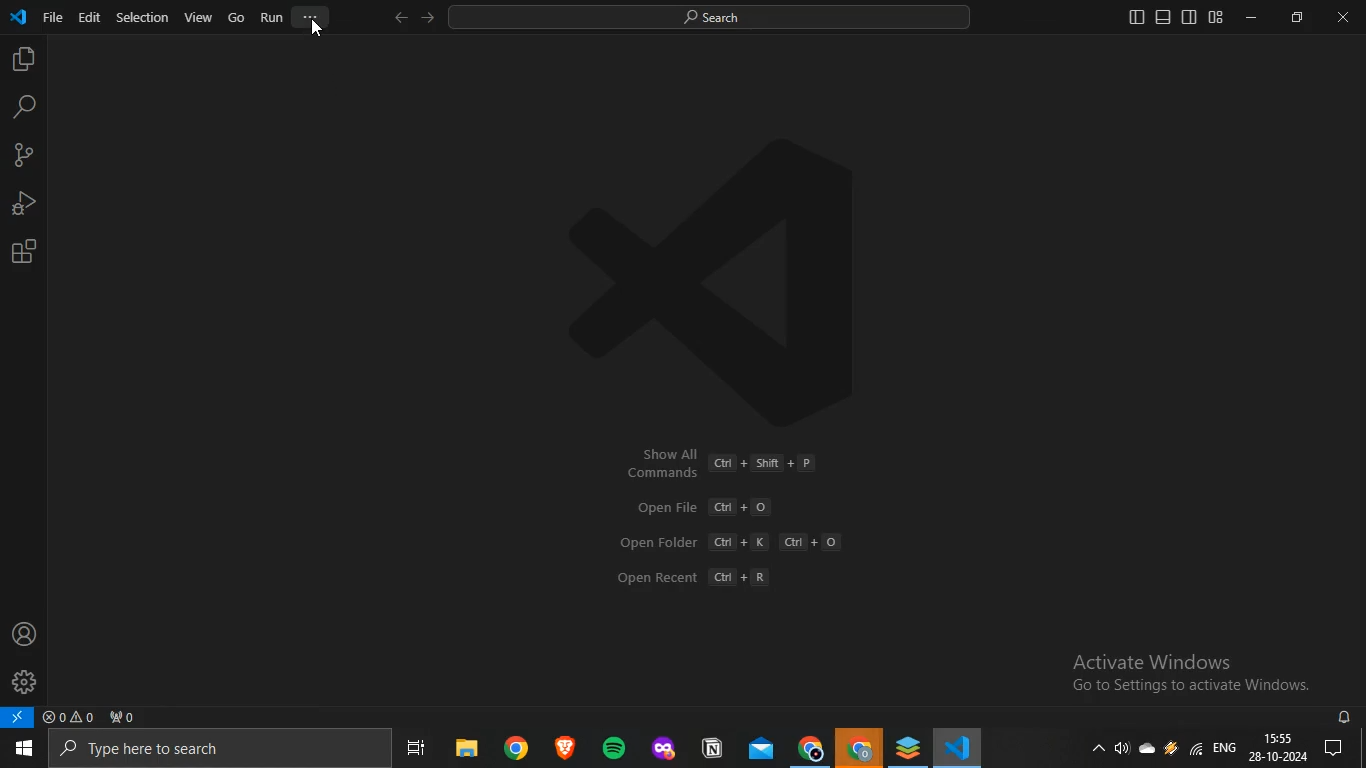  What do you see at coordinates (697, 577) in the screenshot?
I see `Open Recent Ctrl + R` at bounding box center [697, 577].